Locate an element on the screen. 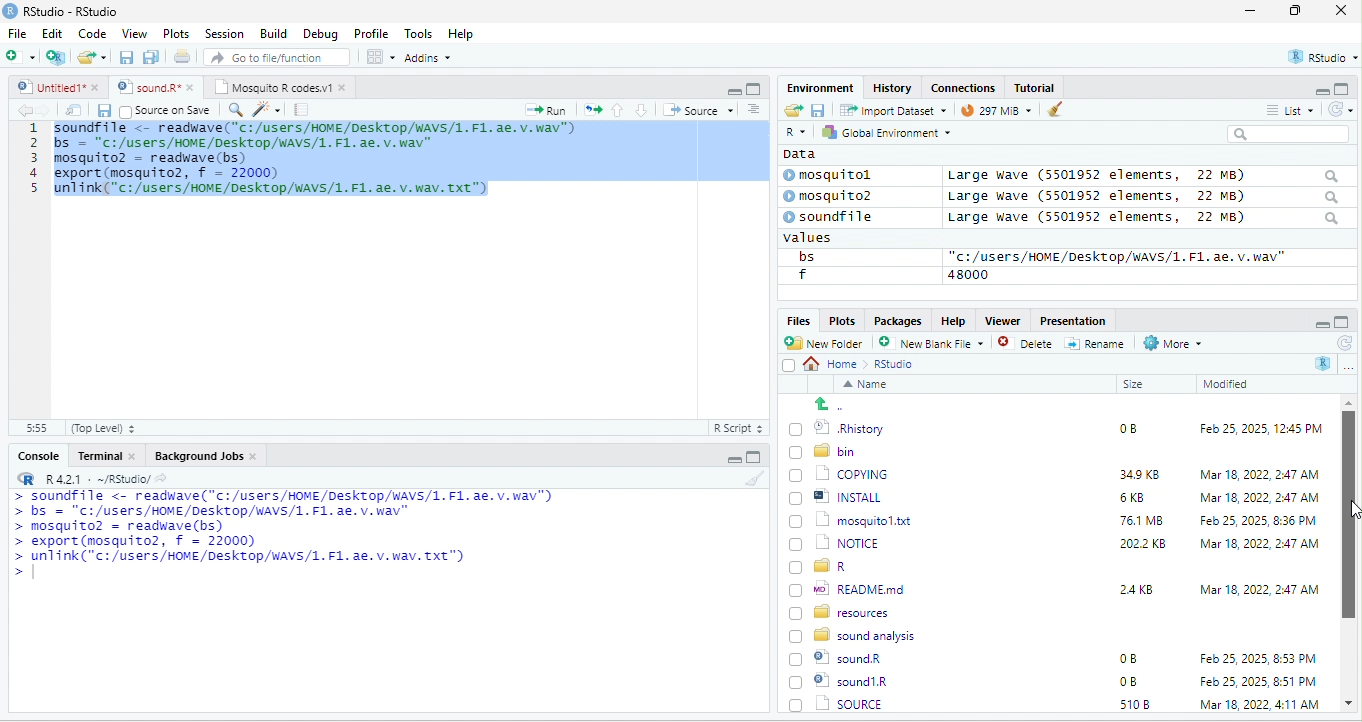 This screenshot has width=1362, height=722. Large wave (550139372 elements, JZ MB) is located at coordinates (1145, 196).